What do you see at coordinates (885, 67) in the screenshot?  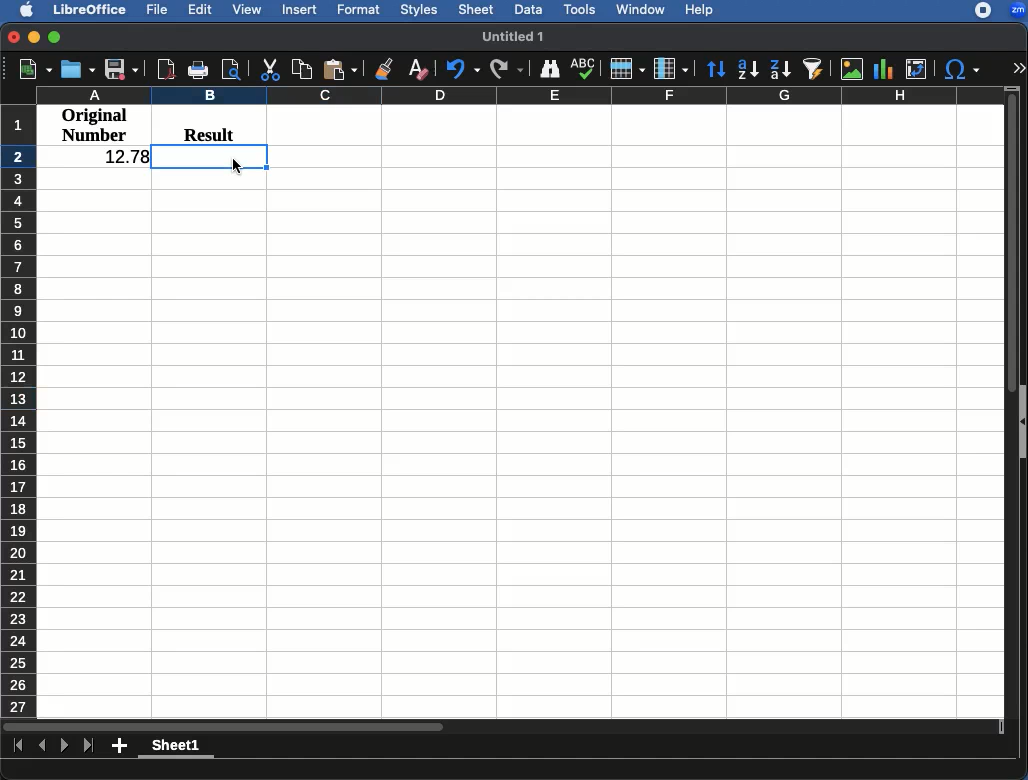 I see `Chart` at bounding box center [885, 67].